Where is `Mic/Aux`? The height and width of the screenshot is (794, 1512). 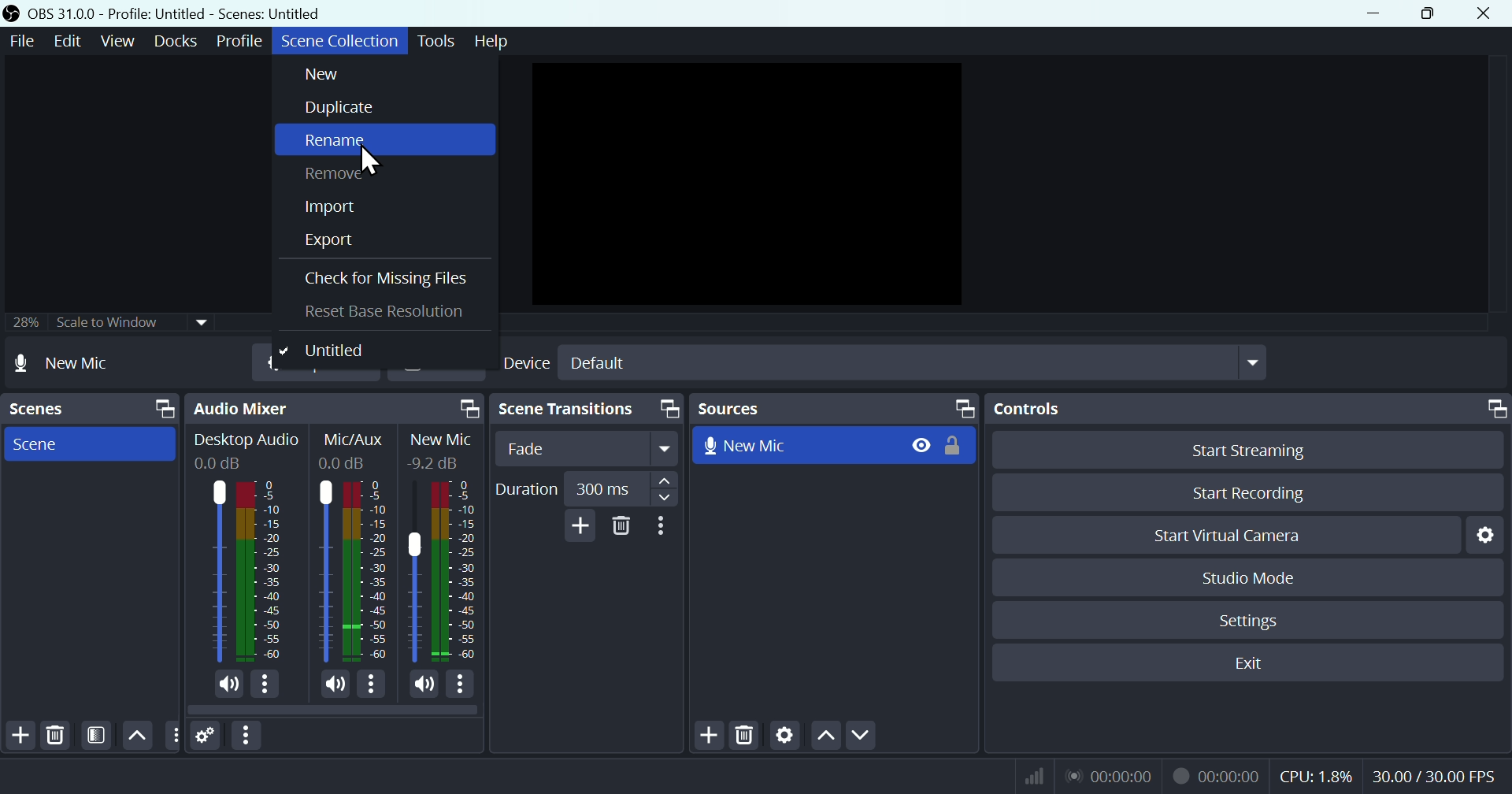
Mic/Aux is located at coordinates (356, 440).